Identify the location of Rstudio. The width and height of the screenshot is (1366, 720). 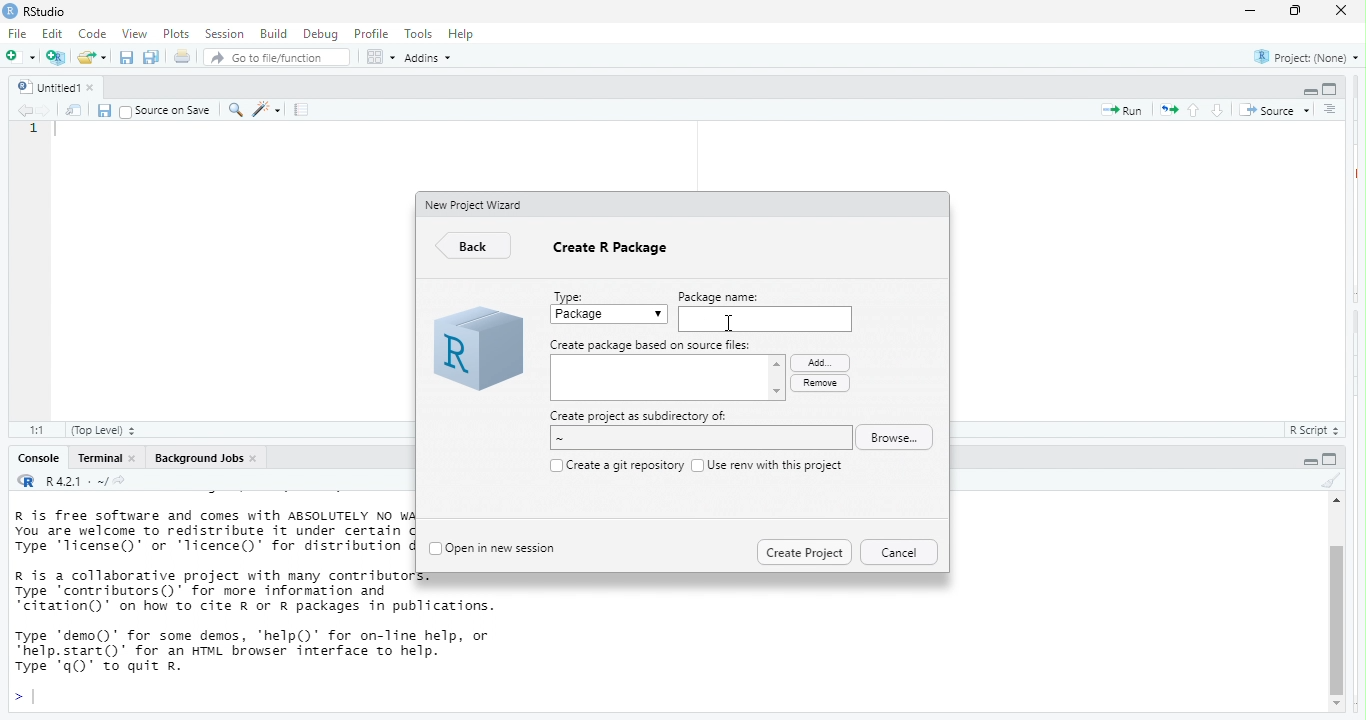
(46, 11).